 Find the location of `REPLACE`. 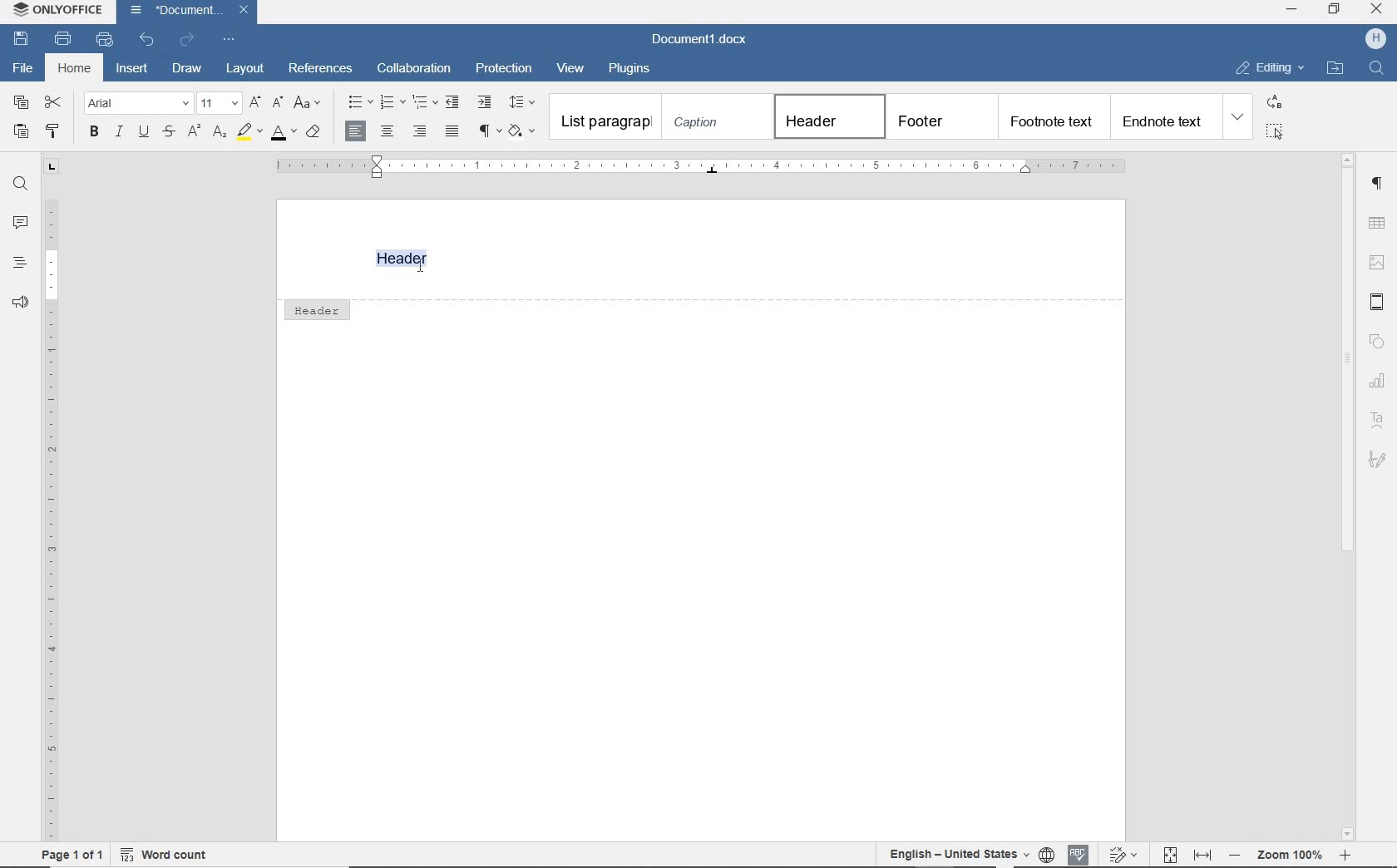

REPLACE is located at coordinates (1274, 104).